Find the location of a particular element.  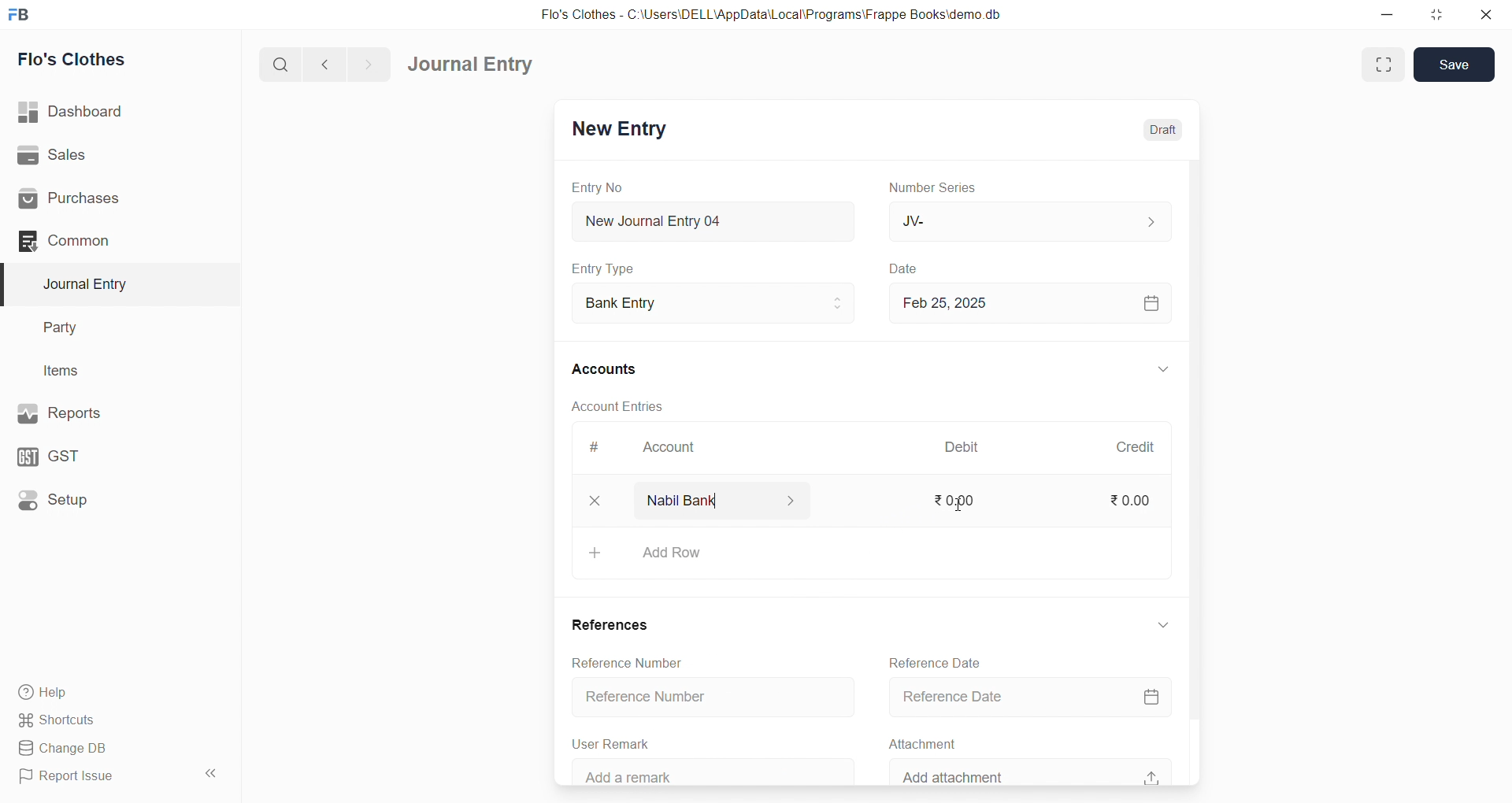

Accounts is located at coordinates (614, 368).